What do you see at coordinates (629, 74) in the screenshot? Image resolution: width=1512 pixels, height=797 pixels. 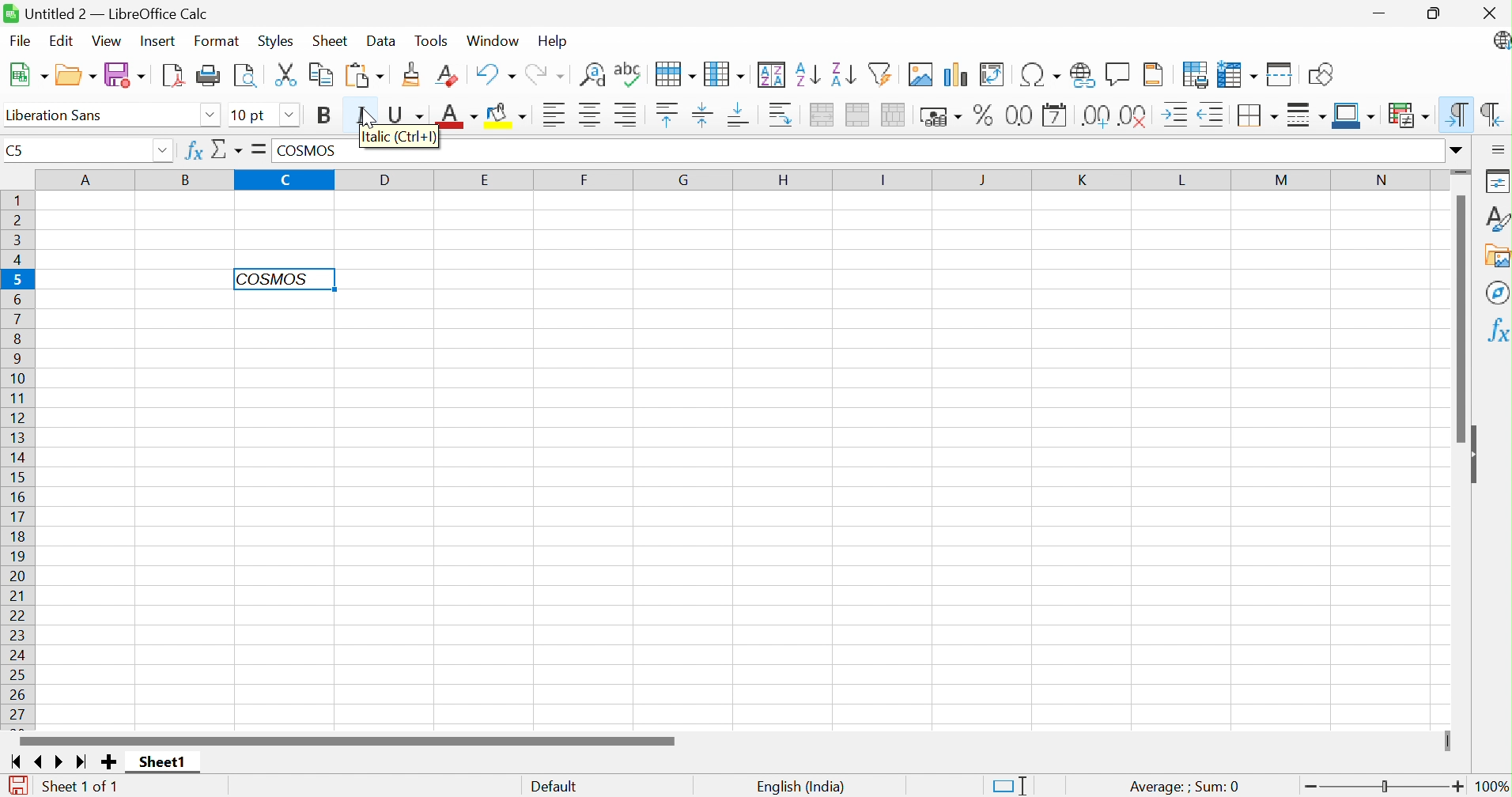 I see `Check spelling` at bounding box center [629, 74].